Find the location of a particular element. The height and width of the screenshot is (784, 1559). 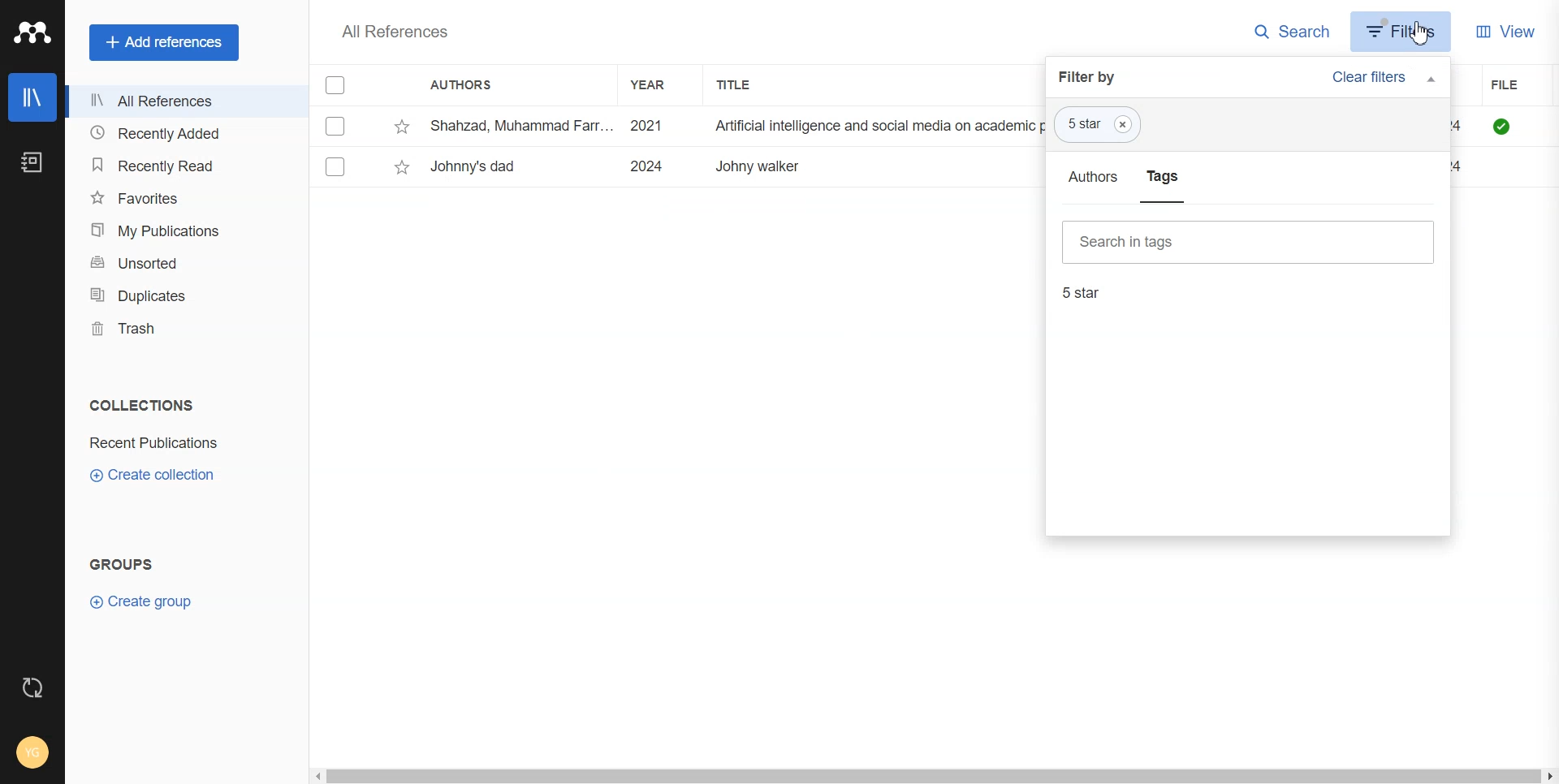

Create collection is located at coordinates (153, 474).